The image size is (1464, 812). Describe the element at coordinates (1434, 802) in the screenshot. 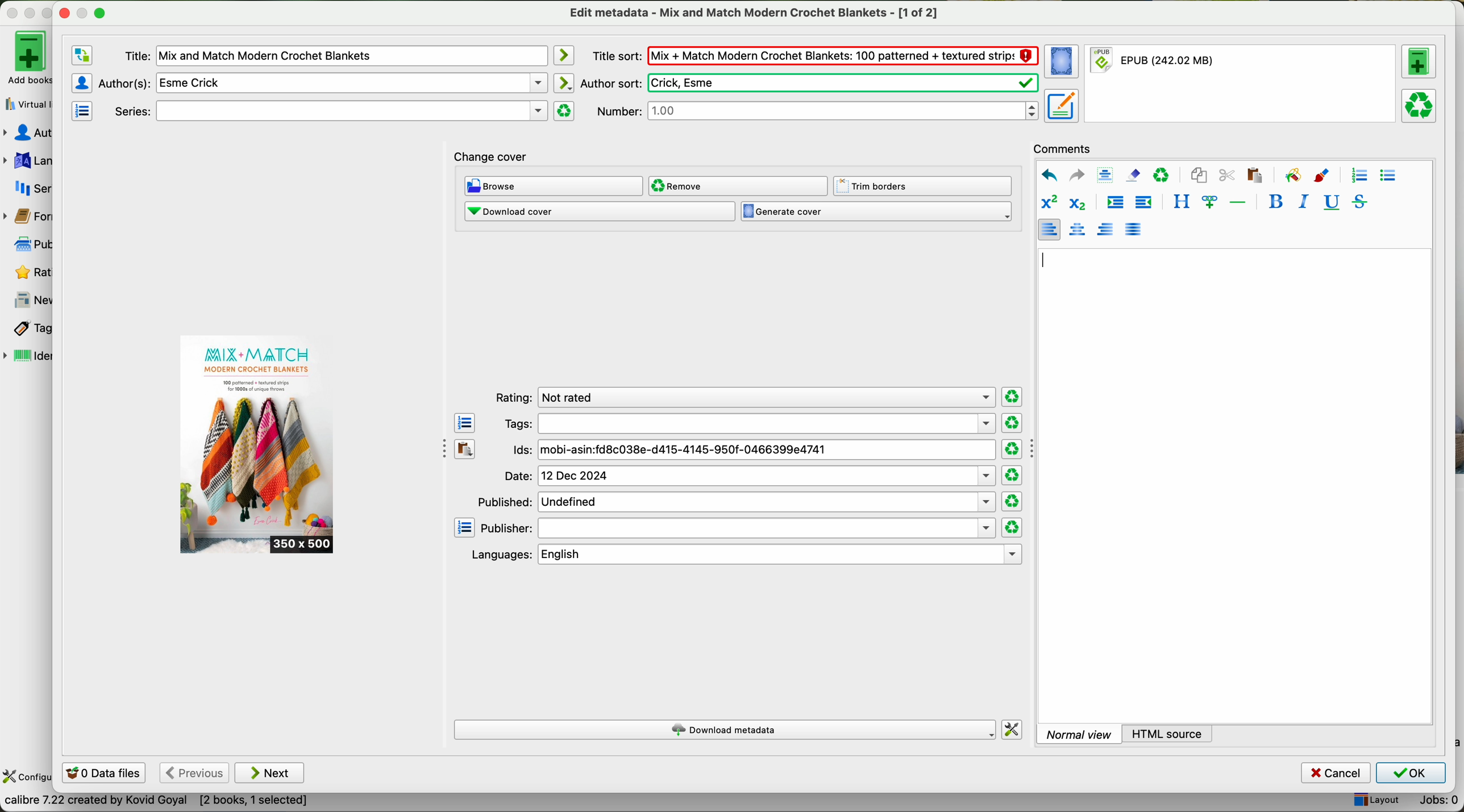

I see `Jobs: 0` at that location.